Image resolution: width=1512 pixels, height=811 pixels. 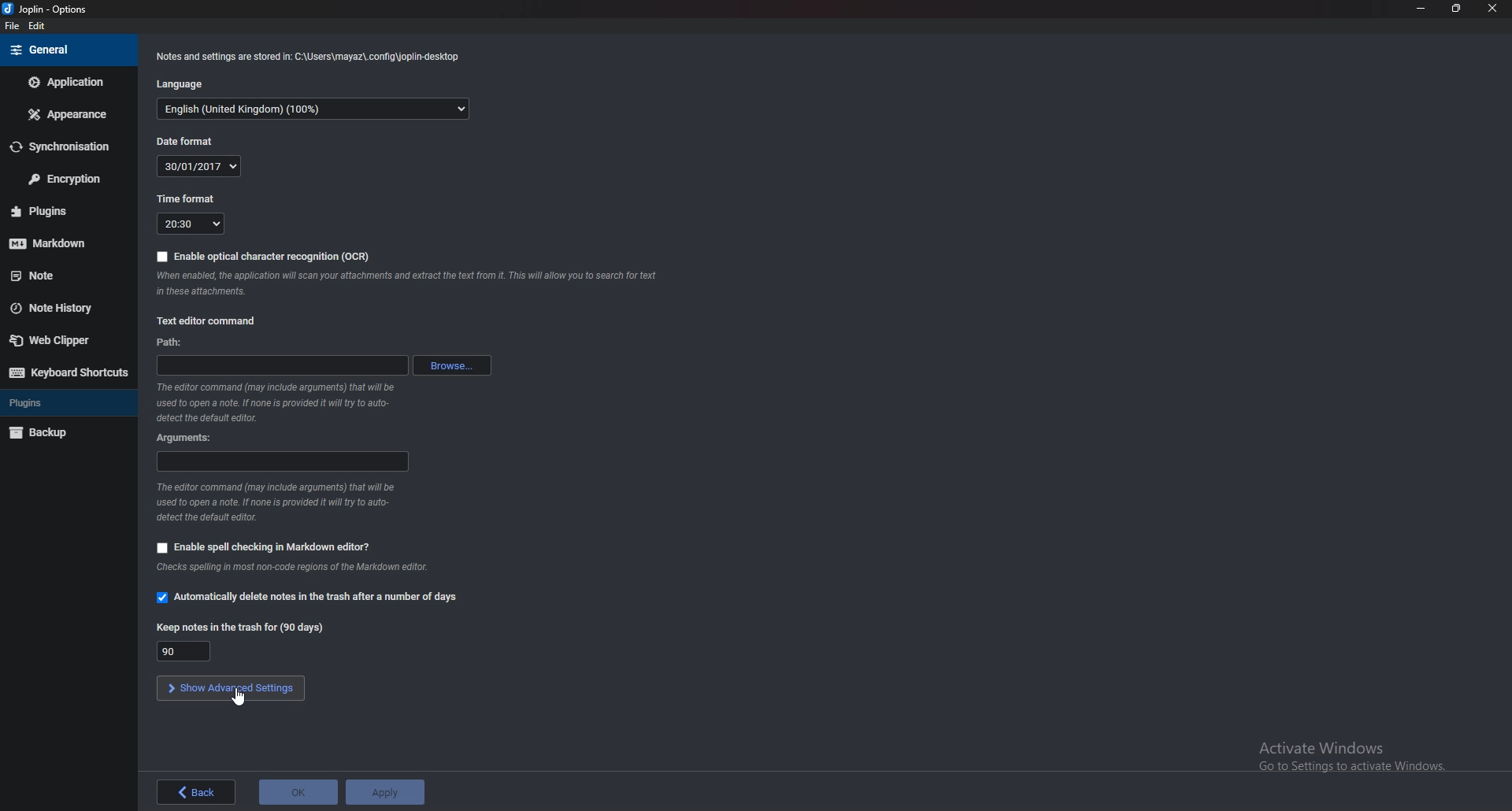 I want to click on ocr info, so click(x=406, y=282).